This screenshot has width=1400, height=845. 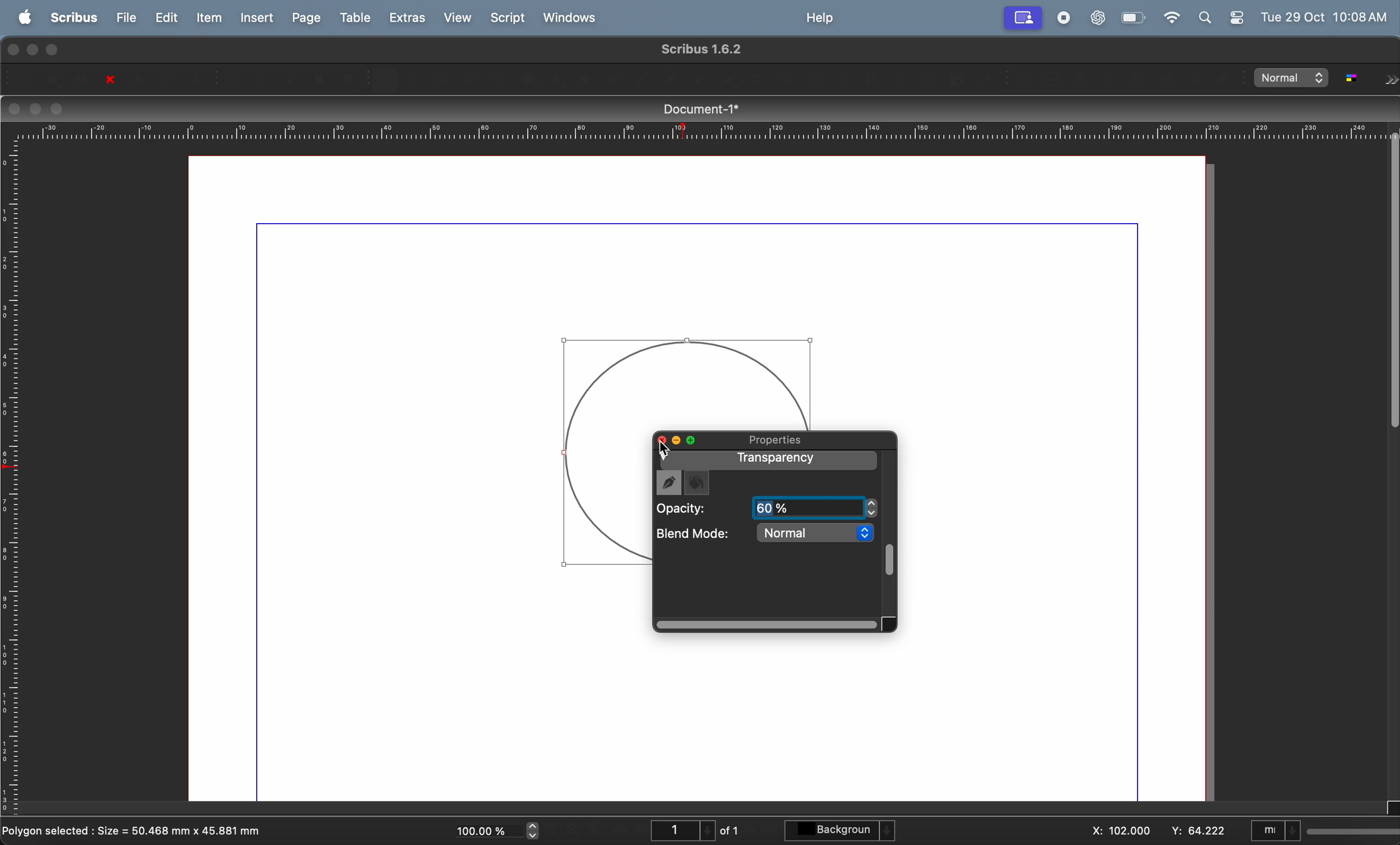 I want to click on horizontal scale, so click(x=693, y=131).